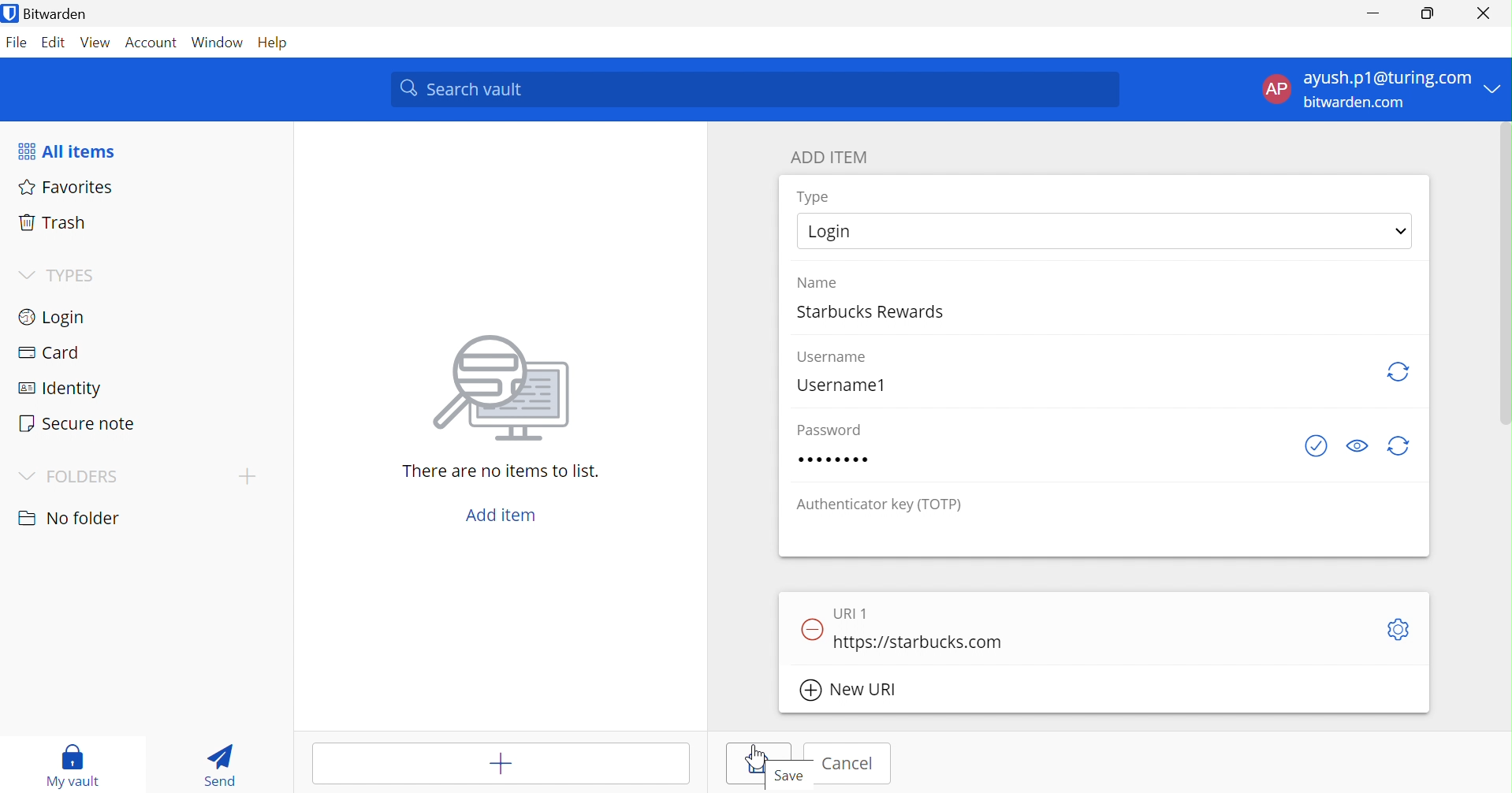  I want to click on URI 1, so click(855, 613).